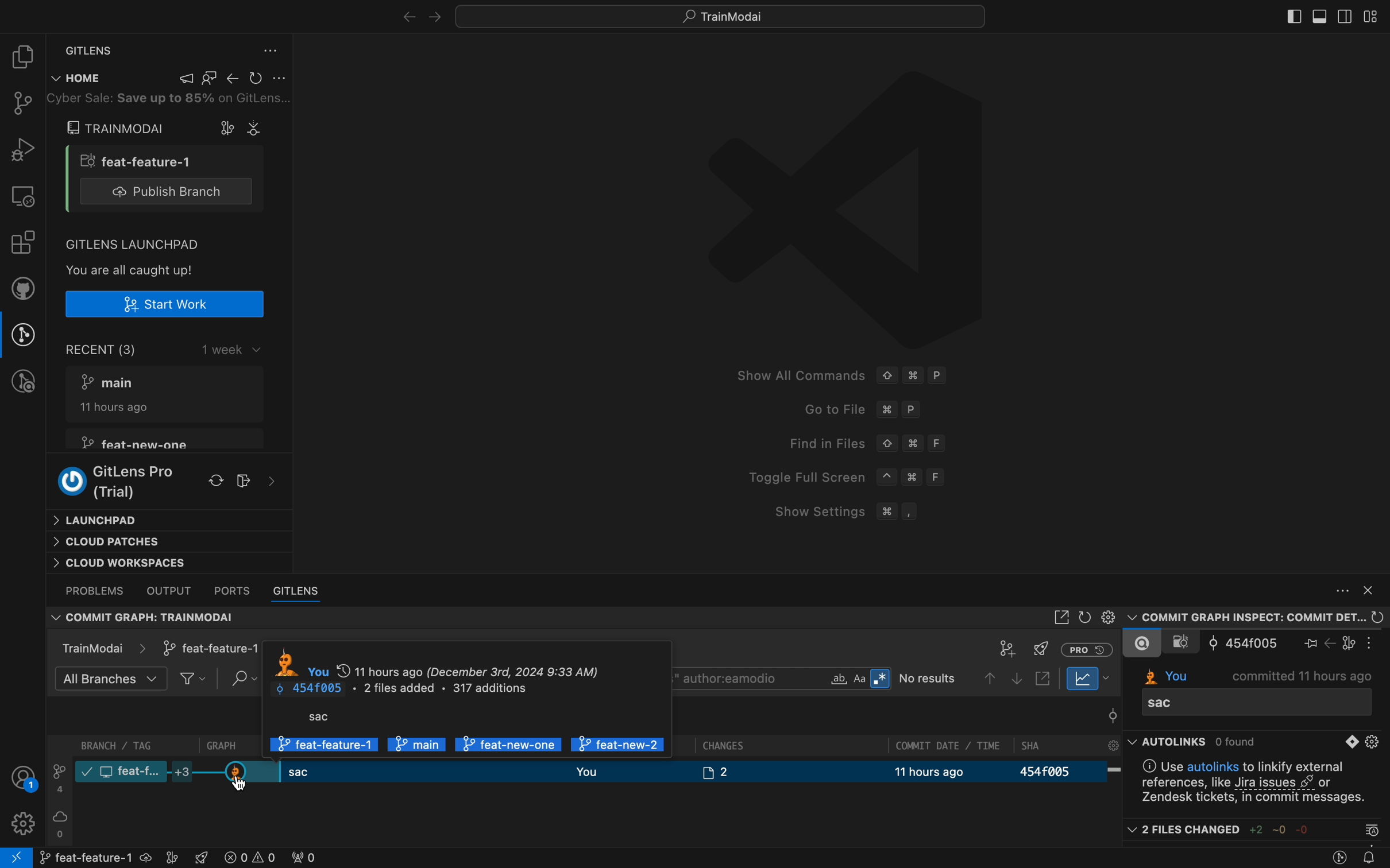  I want to click on current branch, so click(590, 773).